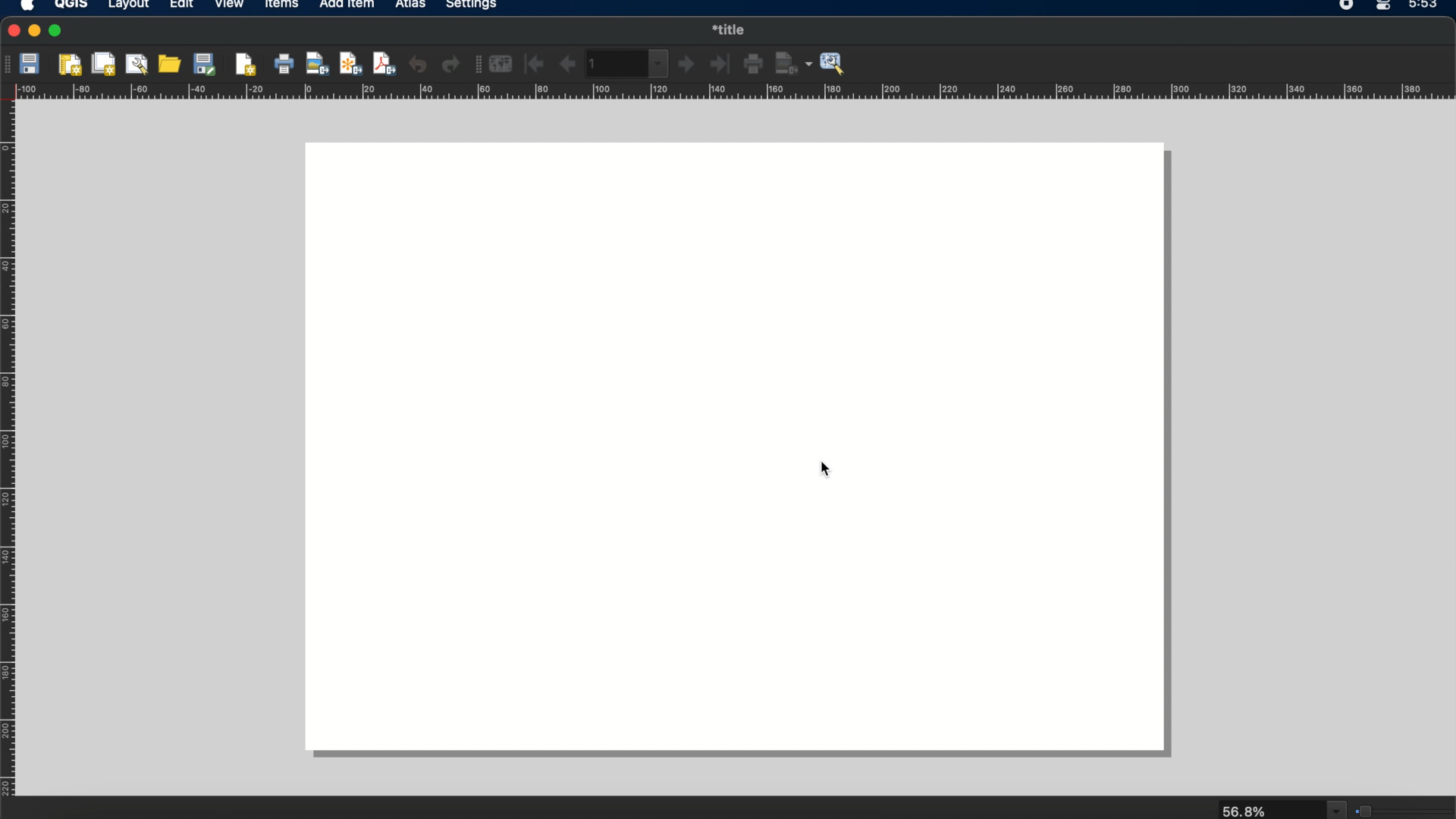 The image size is (1456, 819). Describe the element at coordinates (74, 6) in the screenshot. I see `QGIS` at that location.